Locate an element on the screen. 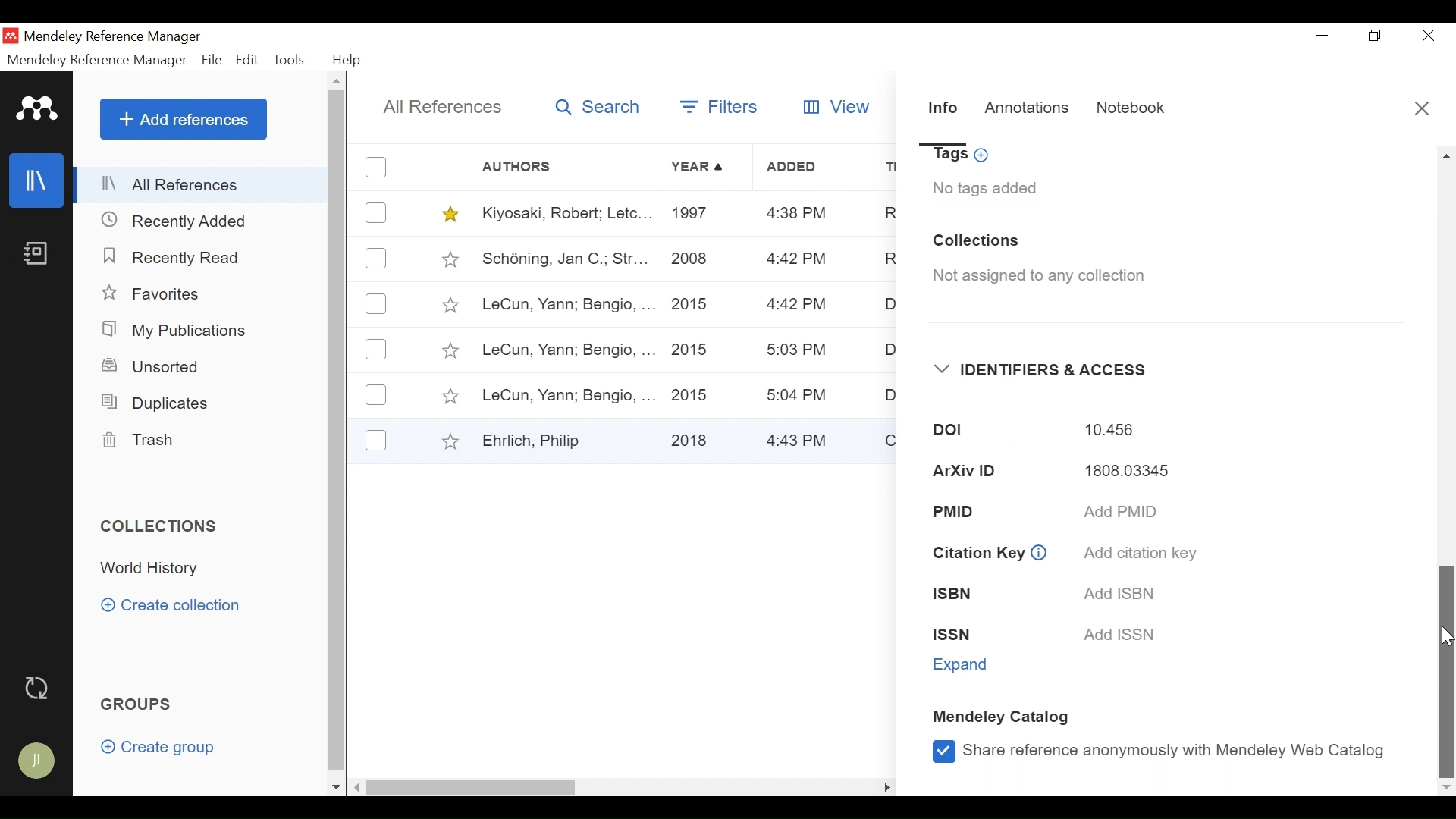  Add Tags is located at coordinates (963, 156).